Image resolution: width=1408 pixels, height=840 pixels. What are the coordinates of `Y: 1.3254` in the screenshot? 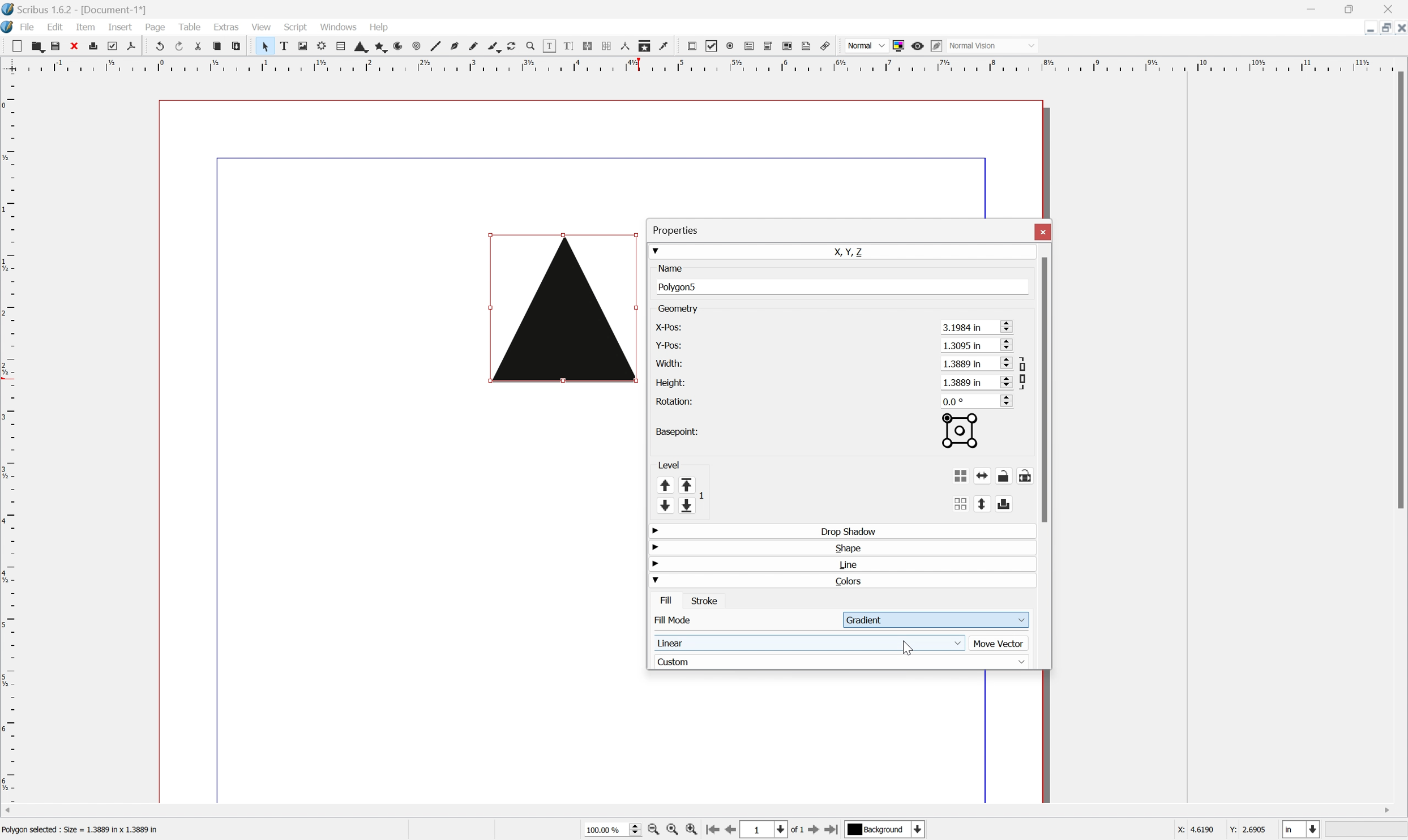 It's located at (1247, 830).